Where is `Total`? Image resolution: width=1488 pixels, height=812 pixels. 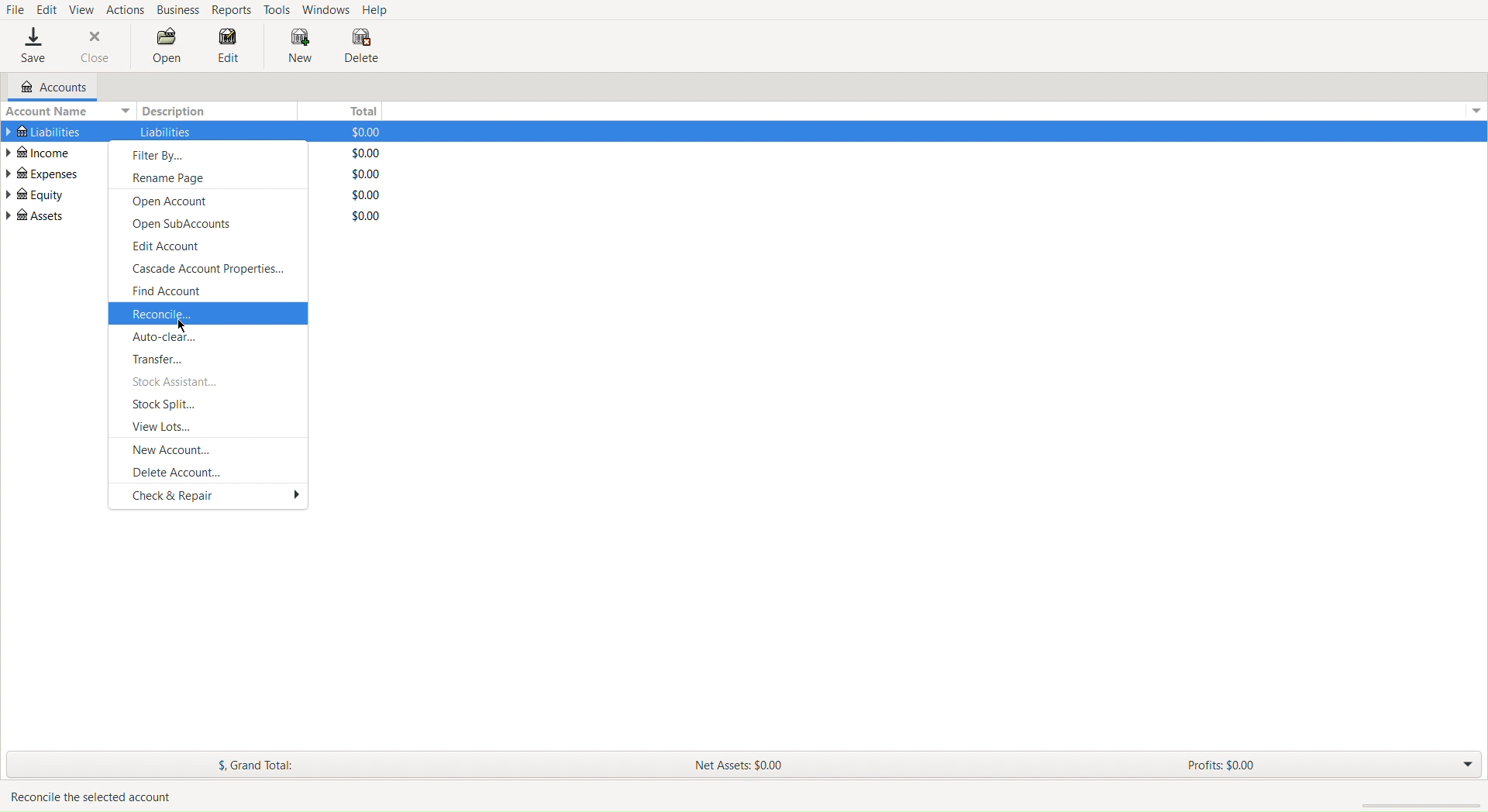 Total is located at coordinates (366, 195).